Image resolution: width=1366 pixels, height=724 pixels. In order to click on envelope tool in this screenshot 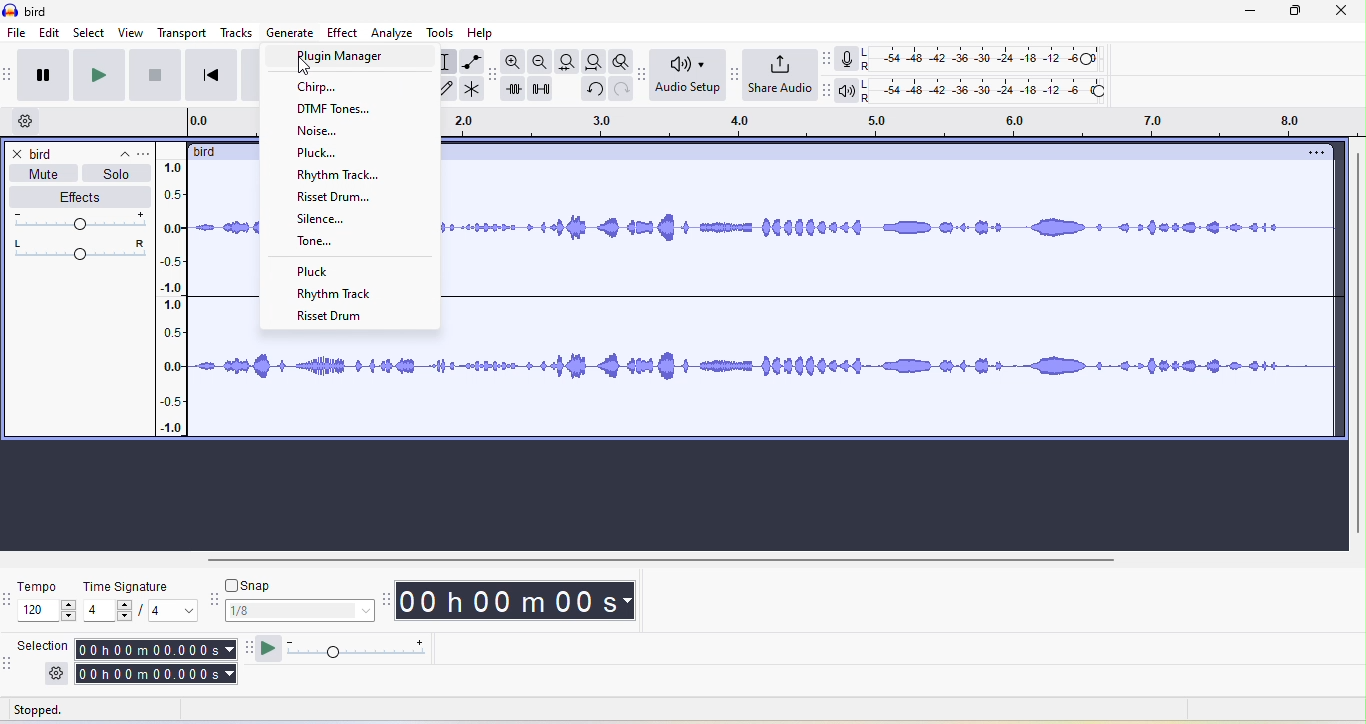, I will do `click(474, 61)`.